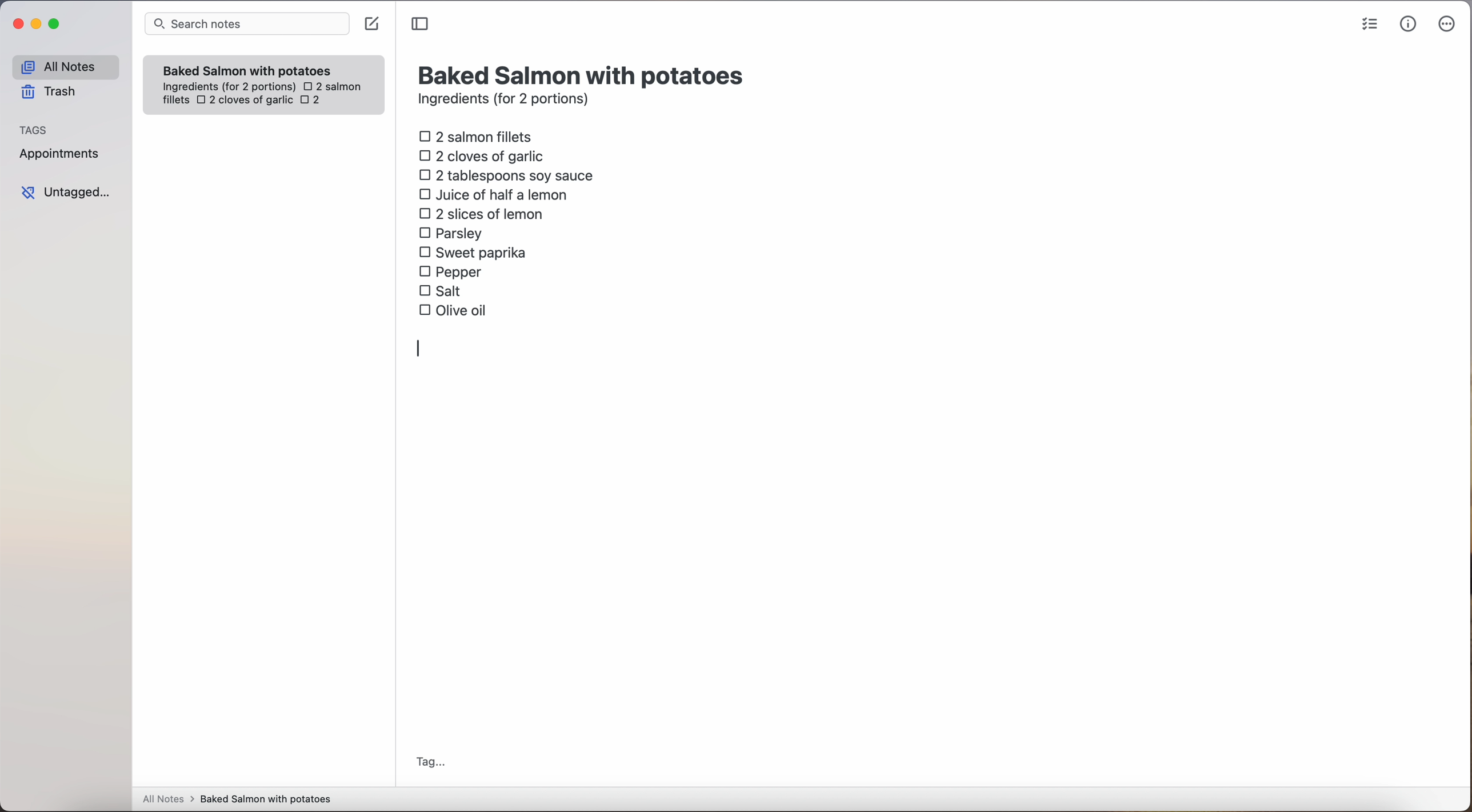 The height and width of the screenshot is (812, 1472). I want to click on Baked Salmon with potatoes, so click(247, 68).